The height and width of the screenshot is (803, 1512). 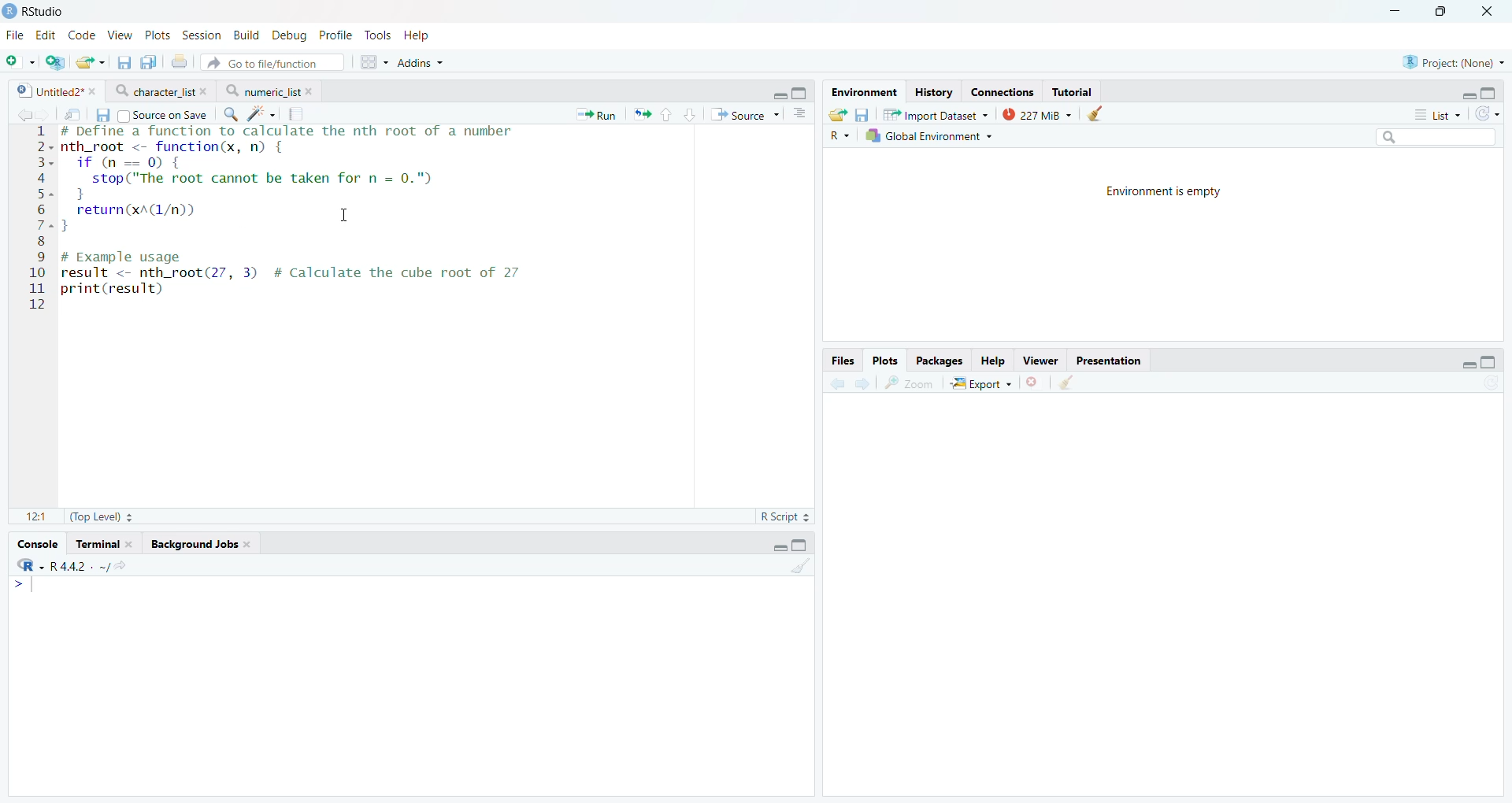 What do you see at coordinates (1454, 61) in the screenshot?
I see `Project: (None)` at bounding box center [1454, 61].